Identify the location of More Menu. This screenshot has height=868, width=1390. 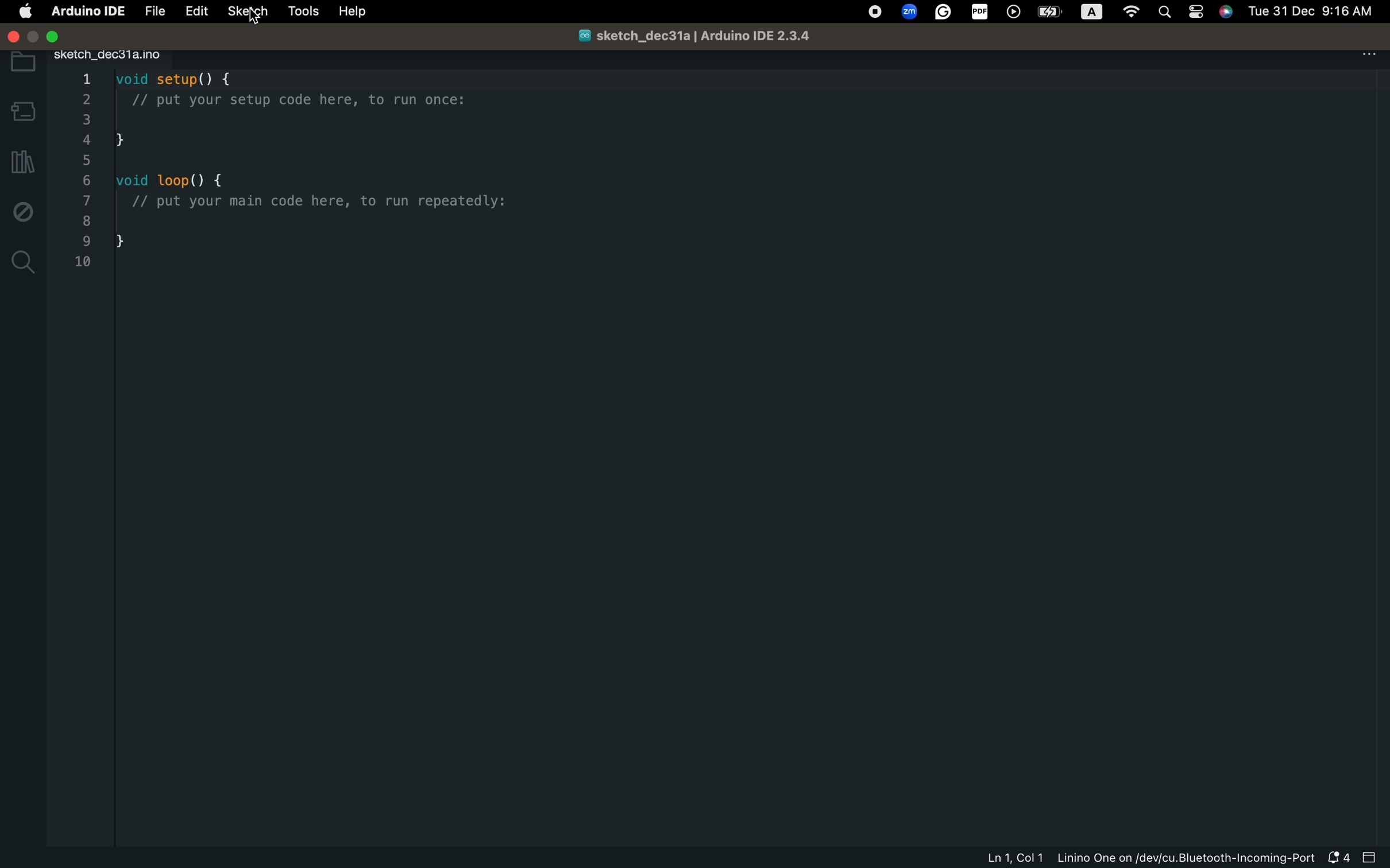
(1372, 60).